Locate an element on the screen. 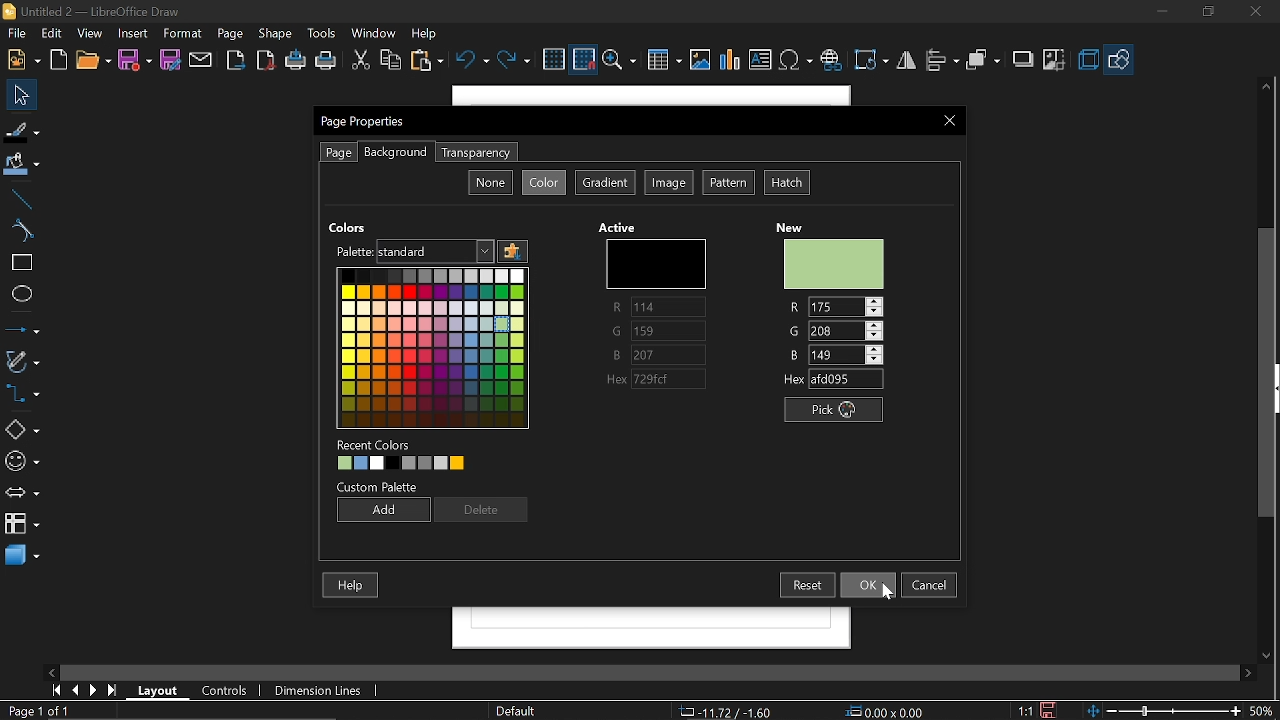 The image size is (1280, 720). Page Style is located at coordinates (518, 711).